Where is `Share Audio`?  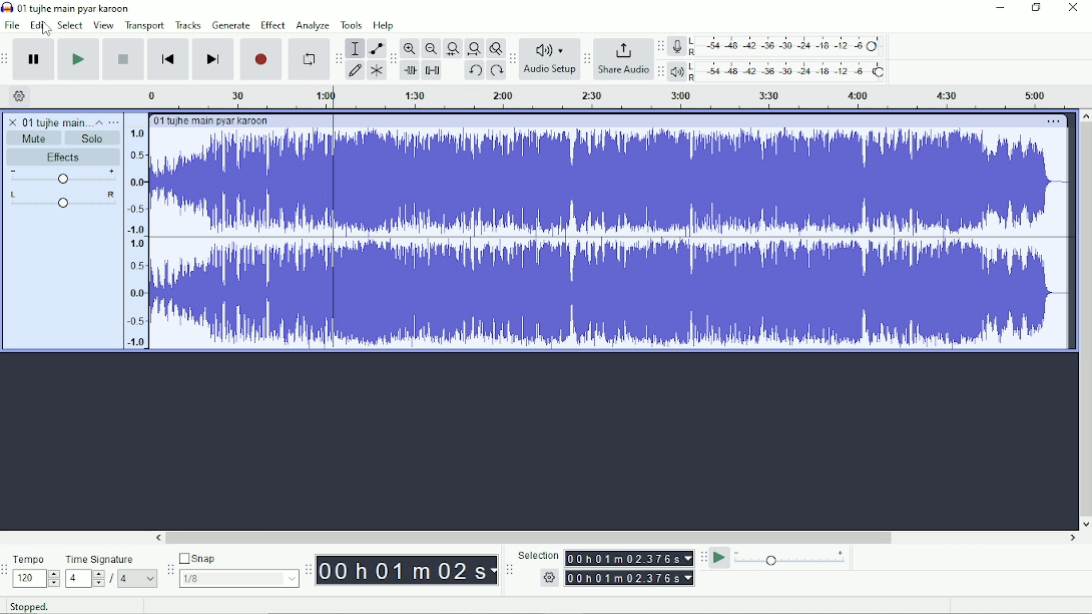
Share Audio is located at coordinates (623, 61).